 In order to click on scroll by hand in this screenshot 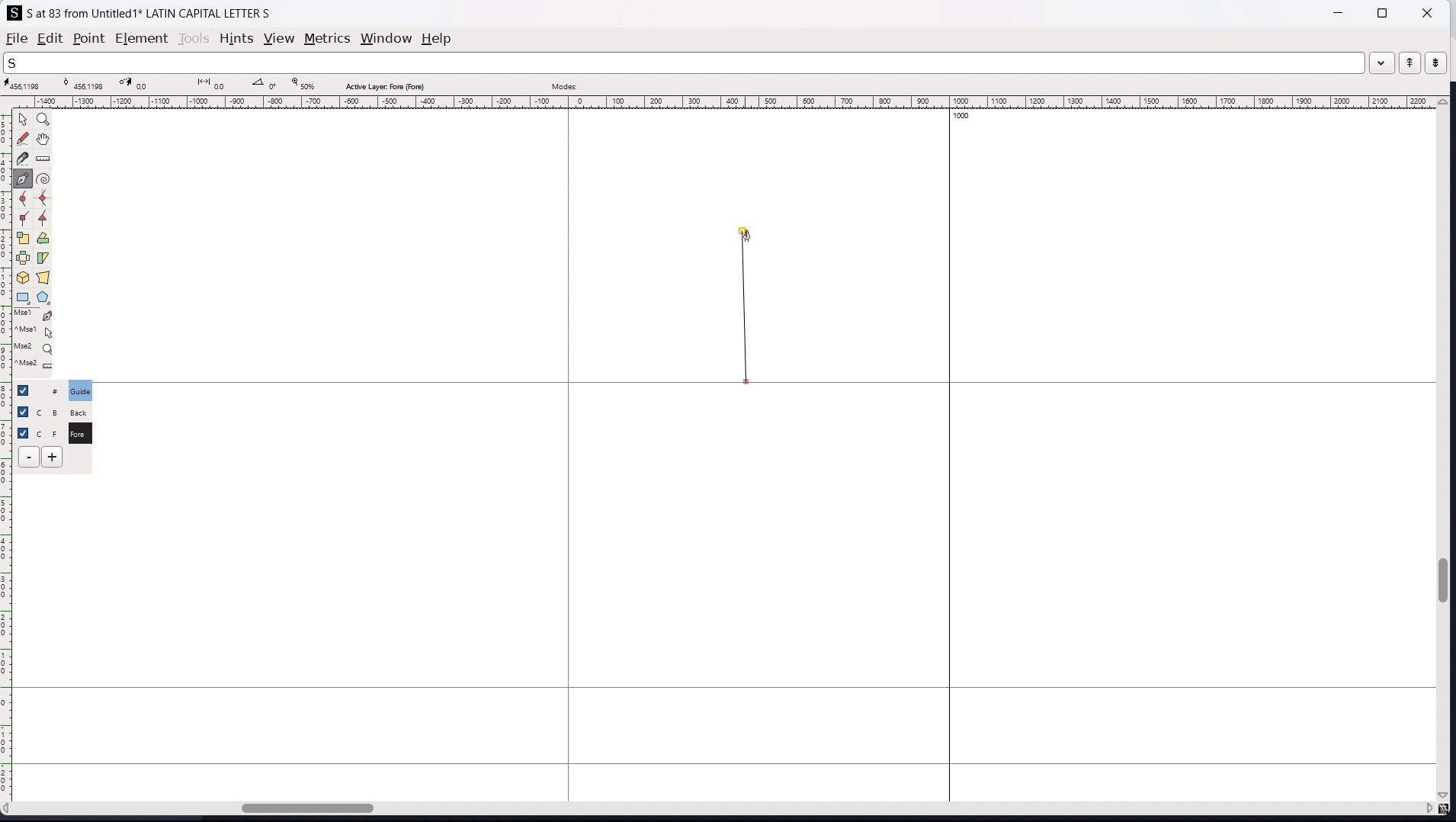, I will do `click(45, 140)`.